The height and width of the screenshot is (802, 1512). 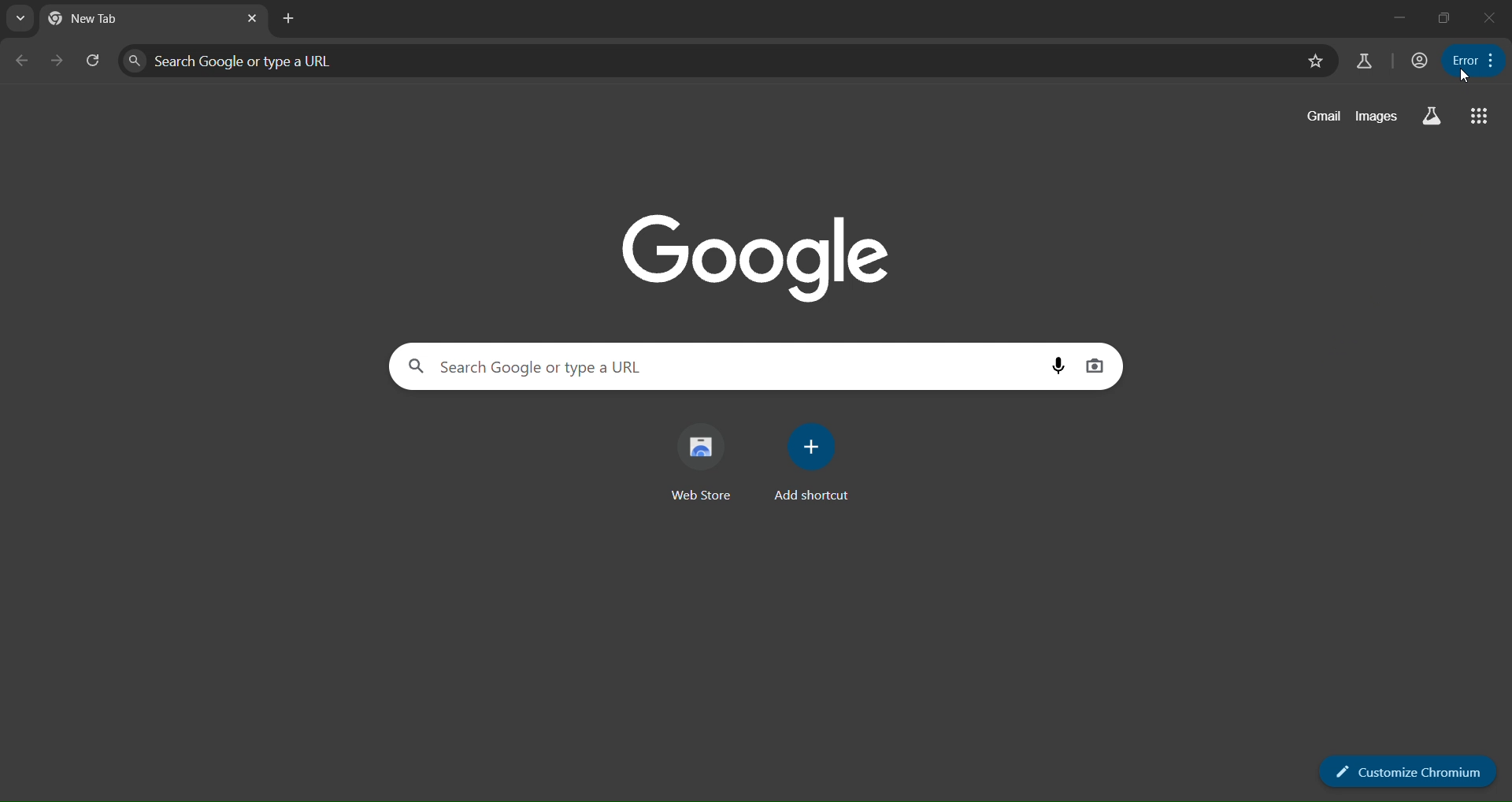 What do you see at coordinates (54, 62) in the screenshot?
I see `go forward one page` at bounding box center [54, 62].